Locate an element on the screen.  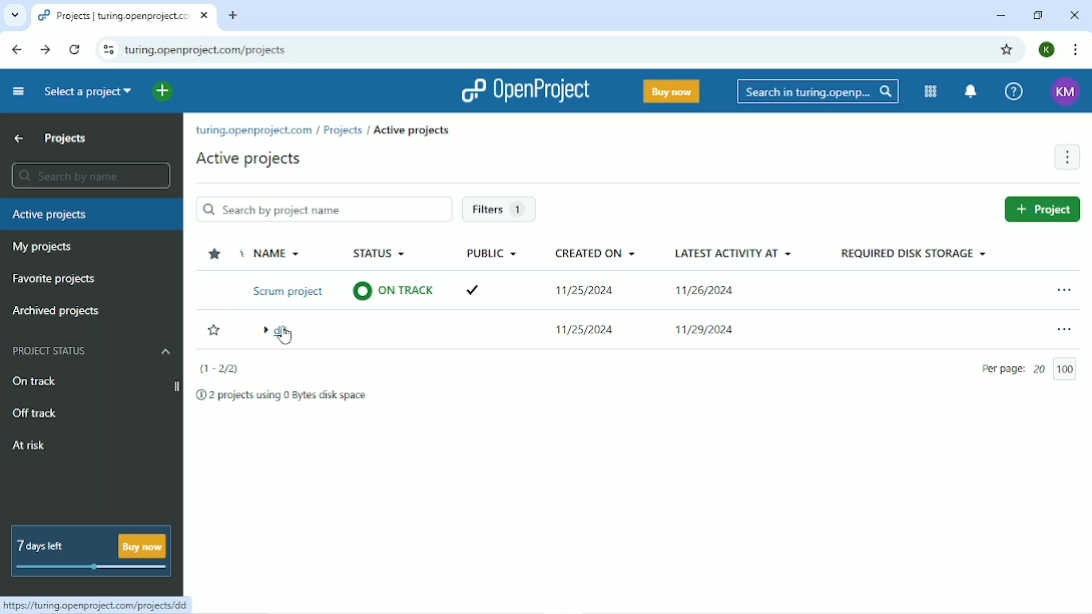
Select a project is located at coordinates (87, 94).